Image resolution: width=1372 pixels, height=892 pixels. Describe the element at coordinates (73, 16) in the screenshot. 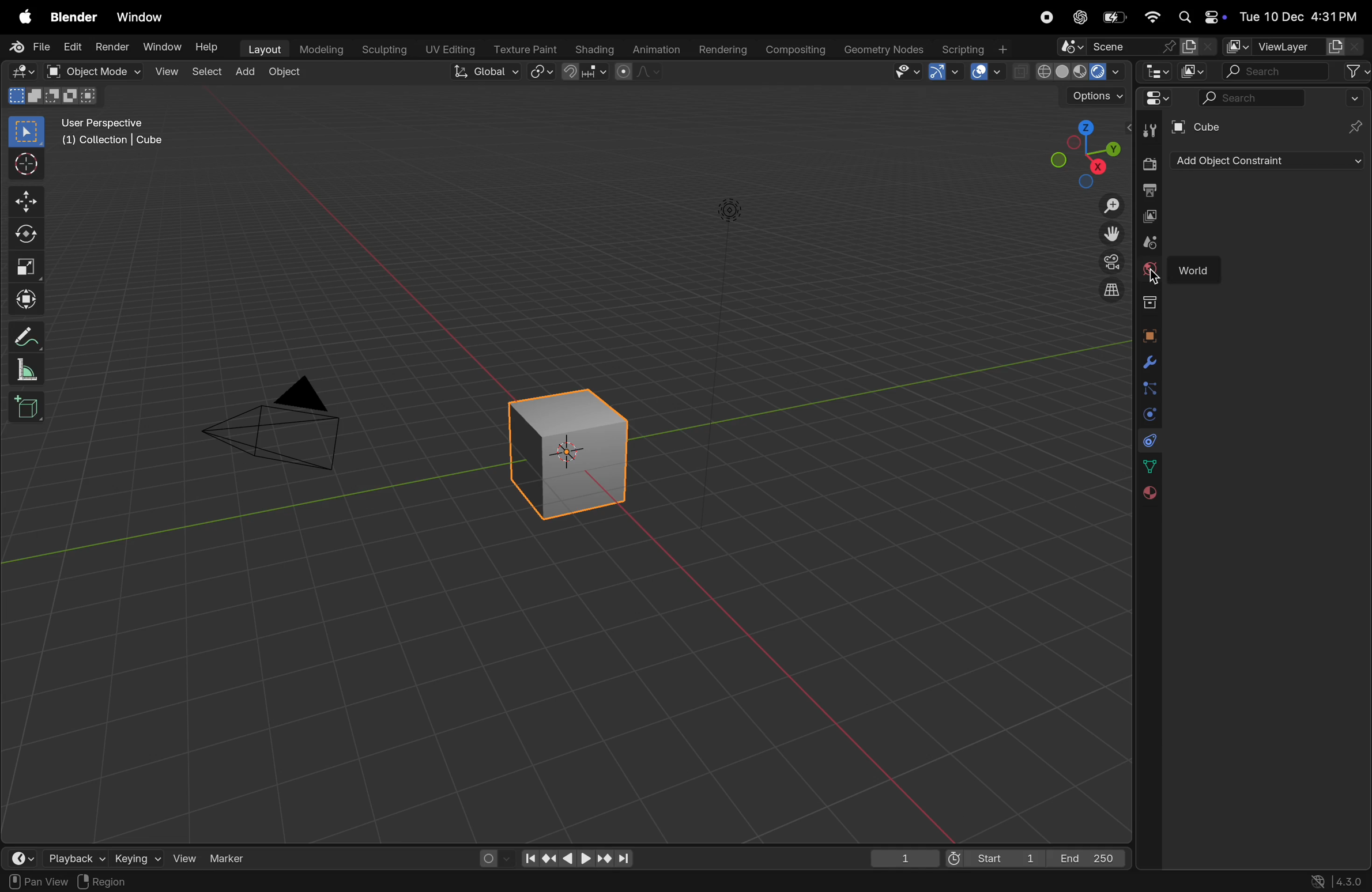

I see `Blender` at that location.